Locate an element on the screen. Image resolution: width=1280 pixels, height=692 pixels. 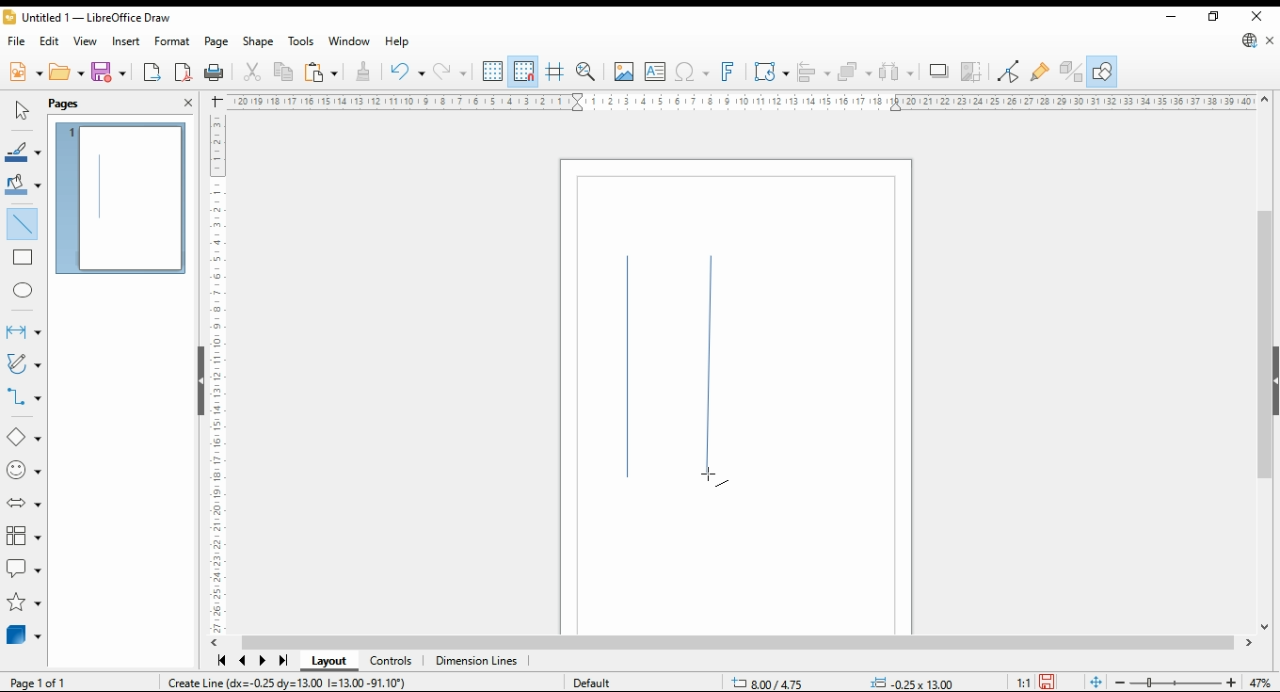
zoom factor is located at coordinates (1262, 684).